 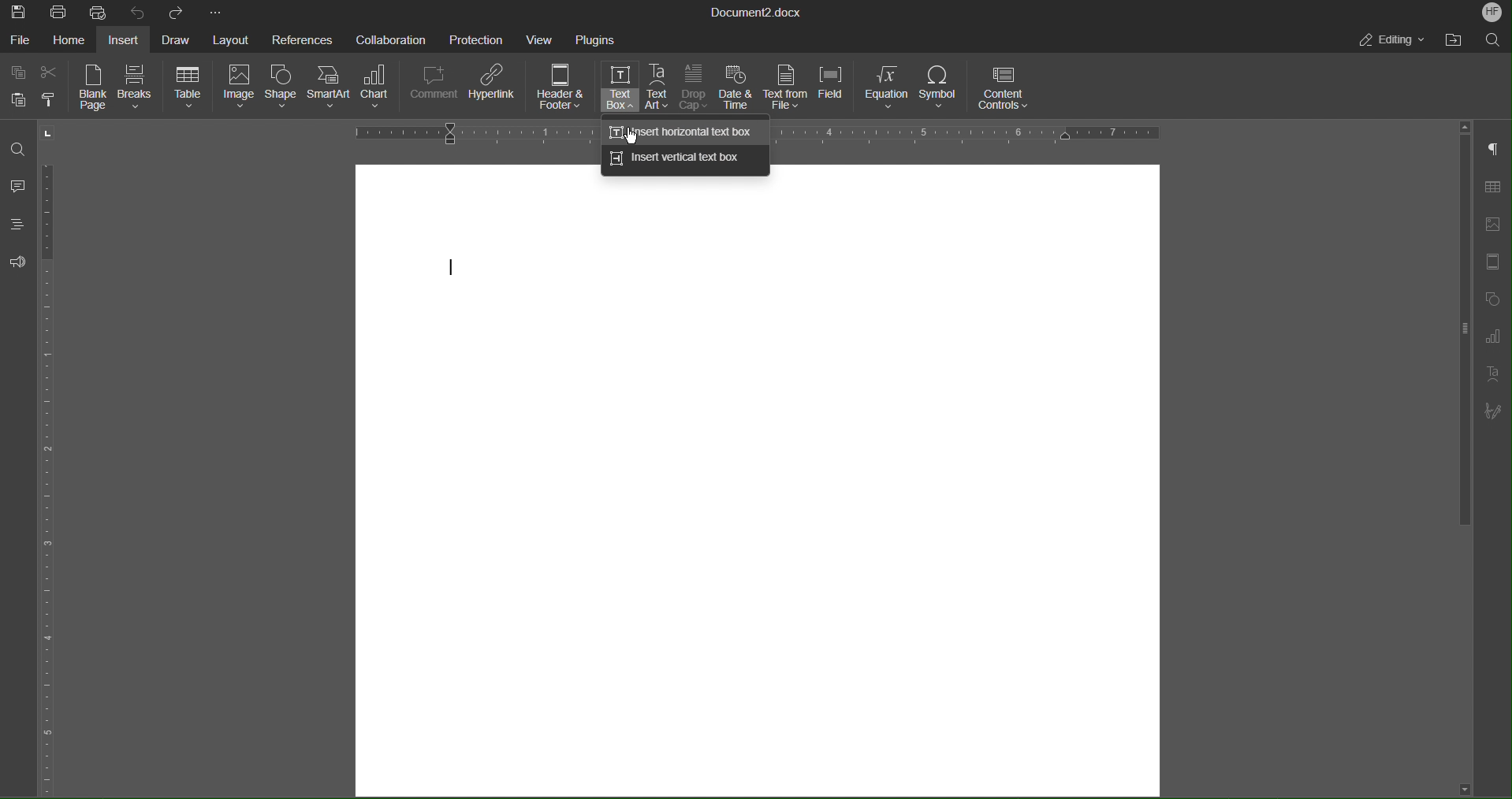 What do you see at coordinates (174, 38) in the screenshot?
I see `Draw` at bounding box center [174, 38].